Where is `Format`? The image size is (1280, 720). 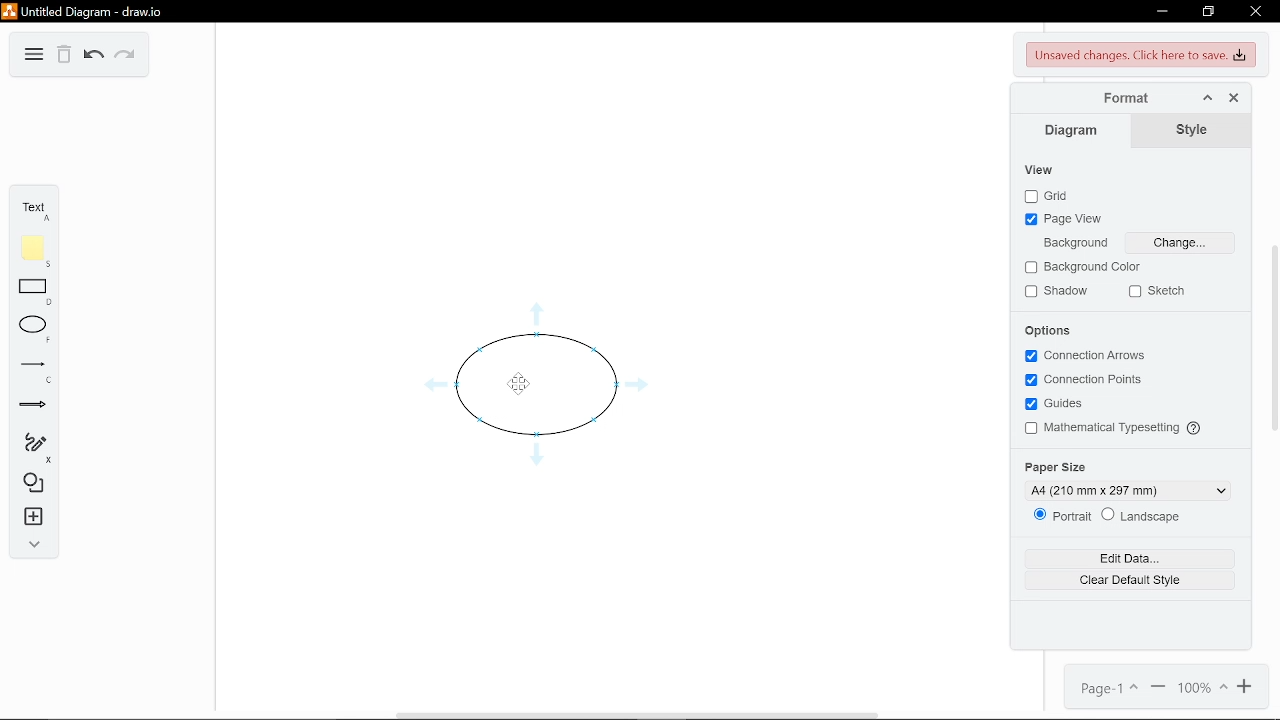 Format is located at coordinates (1100, 95).